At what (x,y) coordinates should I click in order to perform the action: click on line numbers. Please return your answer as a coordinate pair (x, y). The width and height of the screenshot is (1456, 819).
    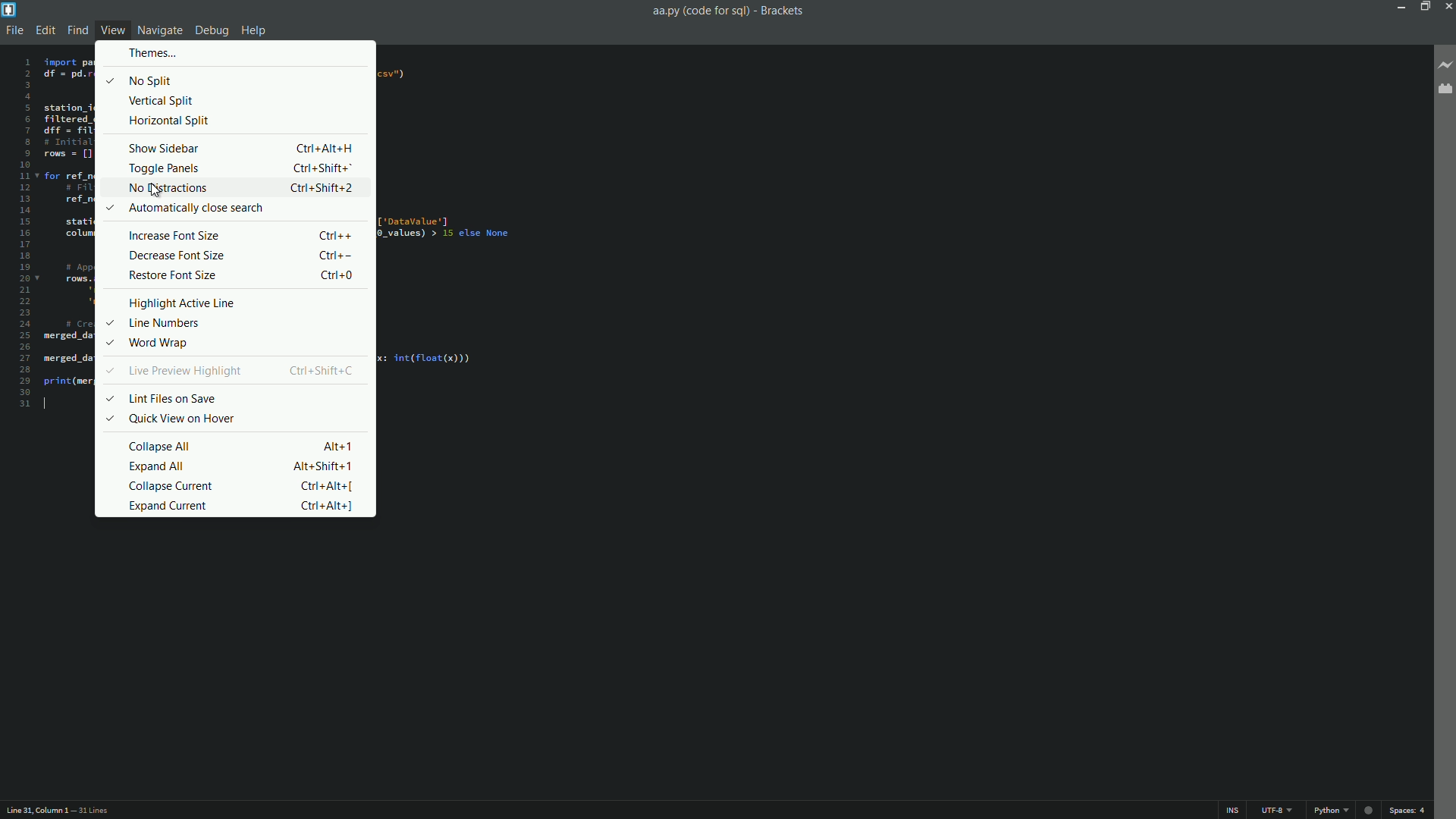
    Looking at the image, I should click on (21, 234).